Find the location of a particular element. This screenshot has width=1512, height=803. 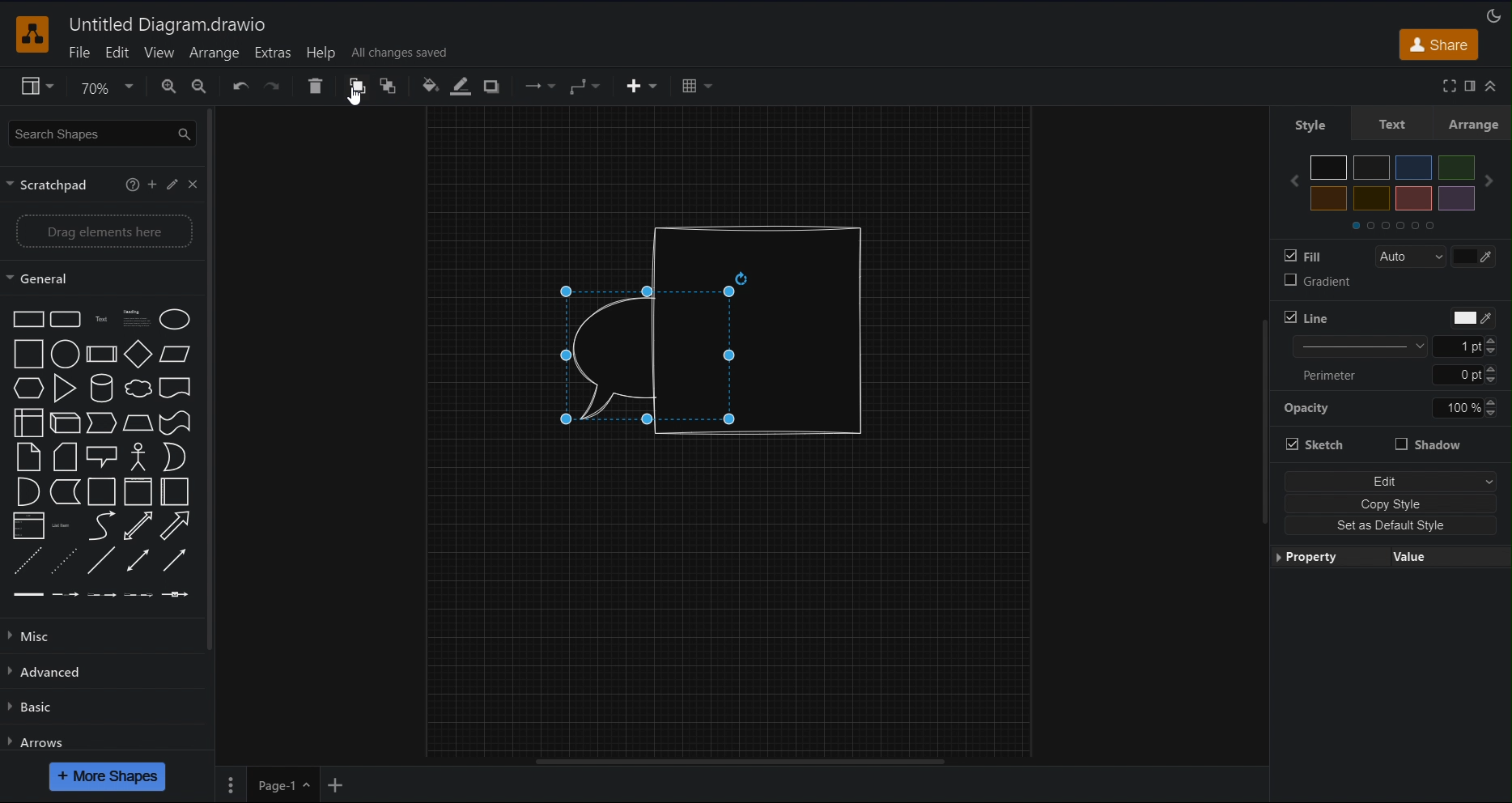

And is located at coordinates (29, 491).